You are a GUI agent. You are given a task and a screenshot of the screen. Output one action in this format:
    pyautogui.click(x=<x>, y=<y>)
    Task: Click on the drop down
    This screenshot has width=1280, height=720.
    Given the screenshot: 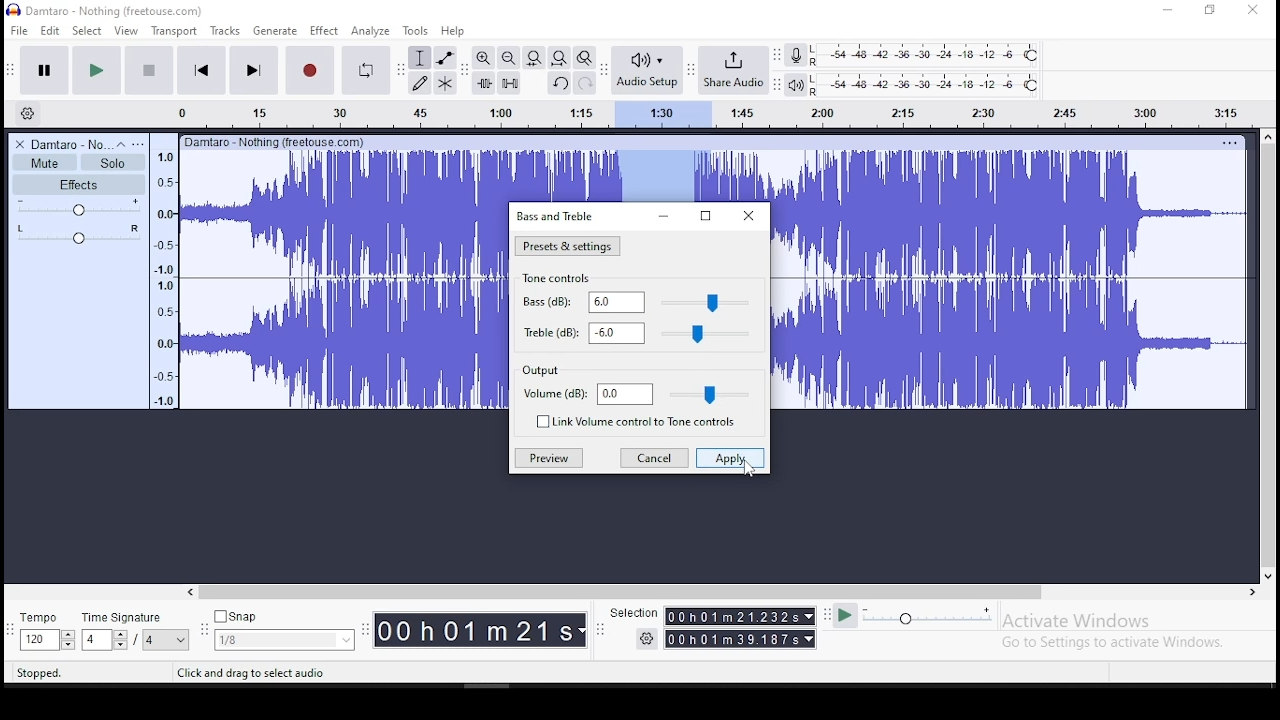 What is the action you would take?
    pyautogui.click(x=119, y=640)
    